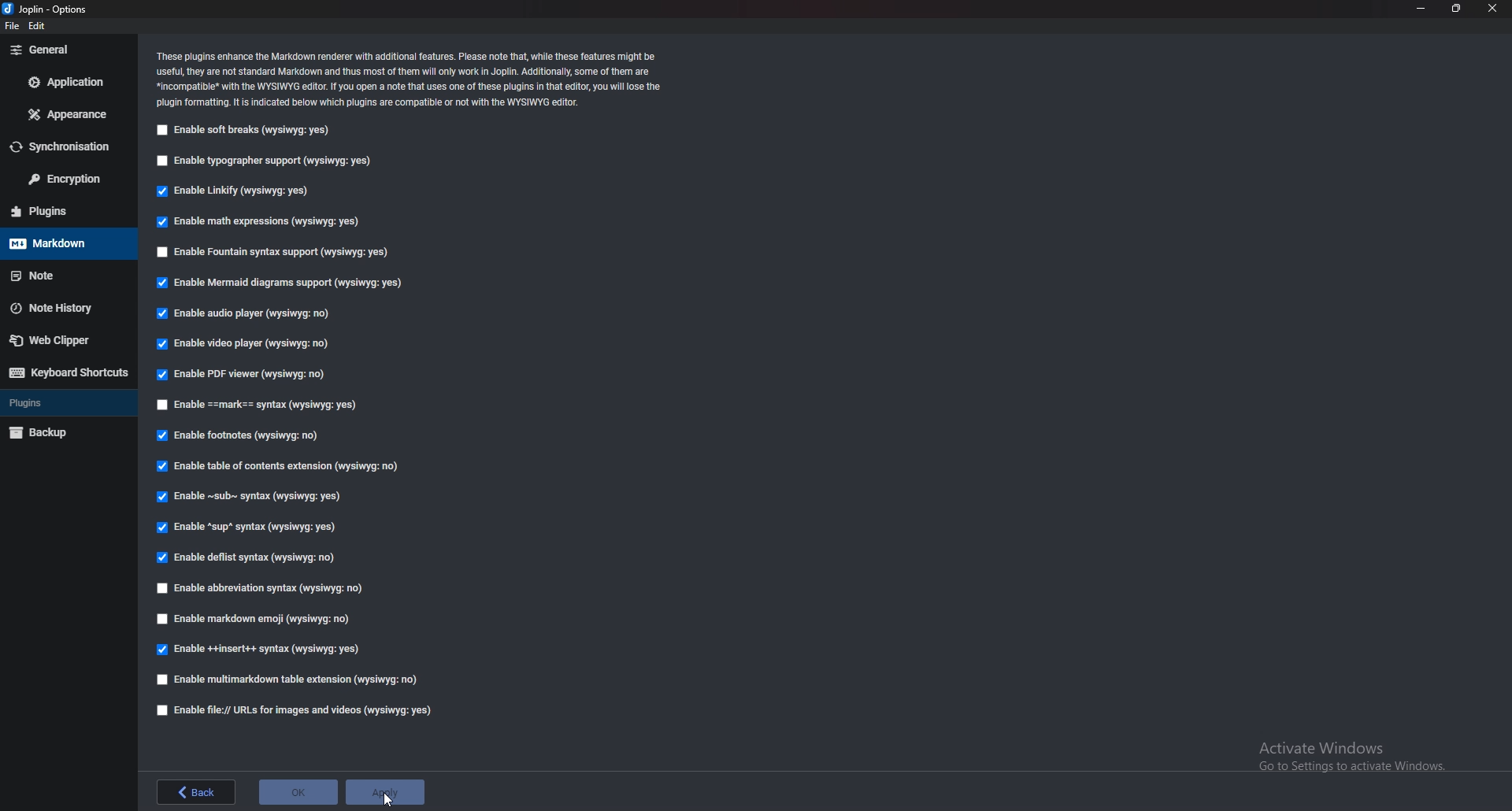 This screenshot has height=811, width=1512. What do you see at coordinates (298, 791) in the screenshot?
I see `ok` at bounding box center [298, 791].